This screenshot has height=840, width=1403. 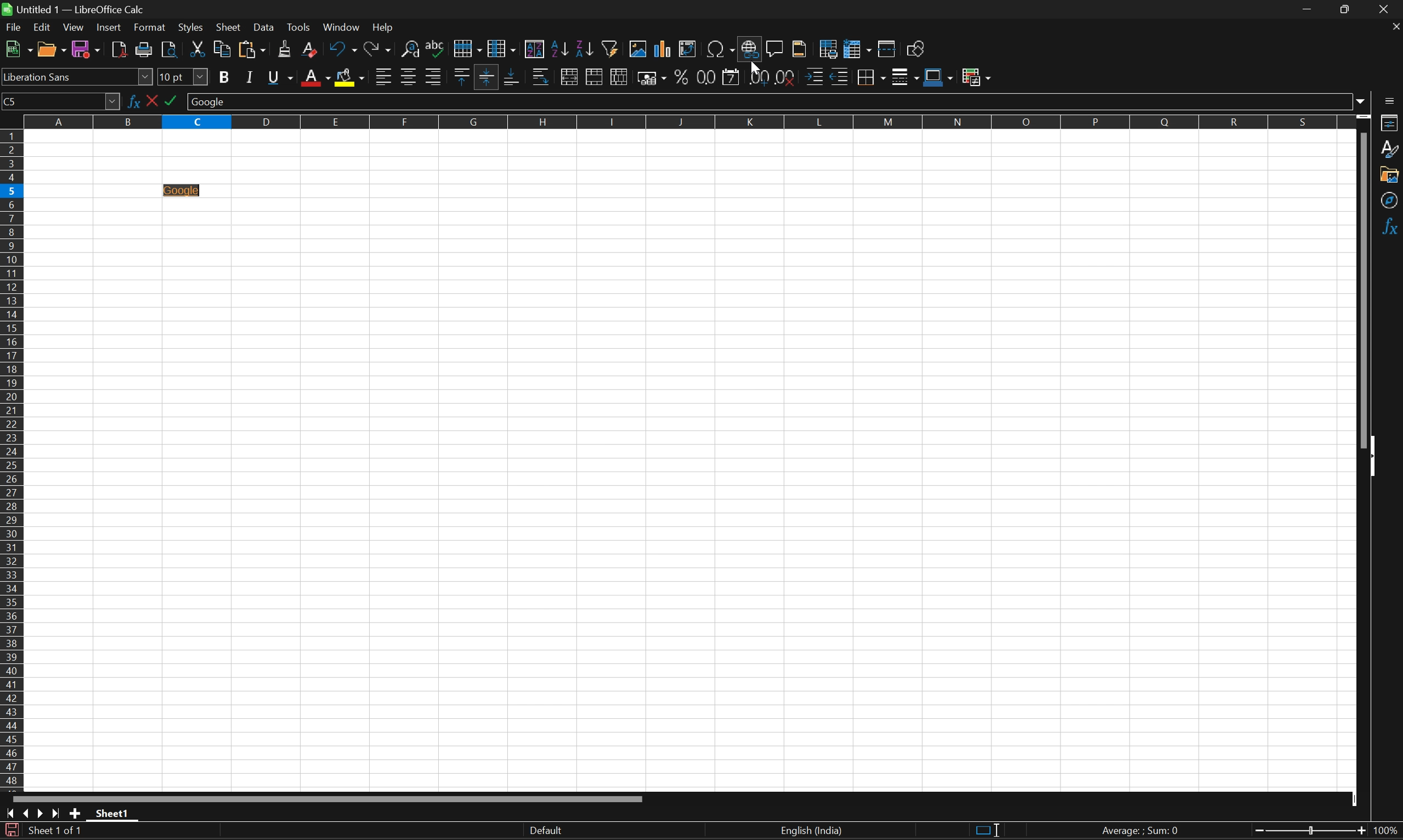 I want to click on Redo, so click(x=377, y=49).